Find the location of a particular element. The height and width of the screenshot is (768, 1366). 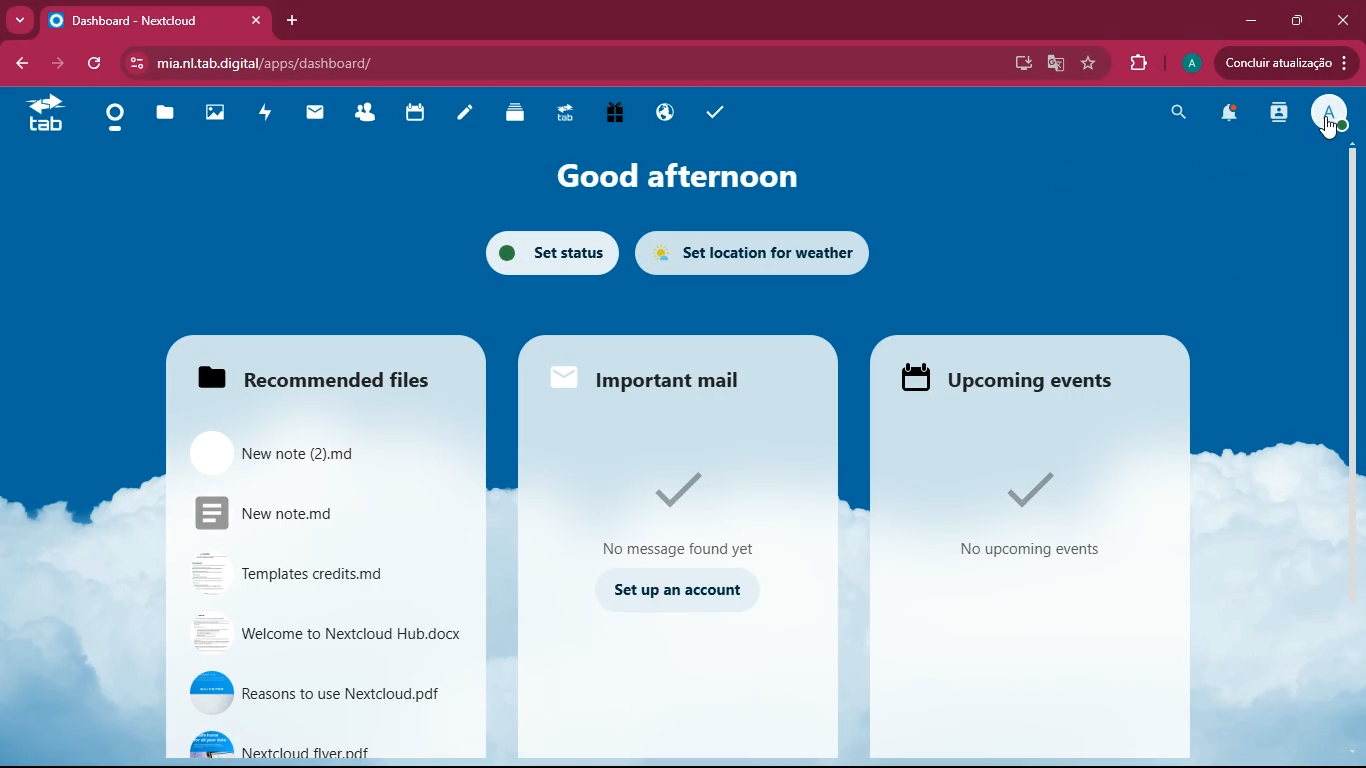

friends is located at coordinates (366, 112).